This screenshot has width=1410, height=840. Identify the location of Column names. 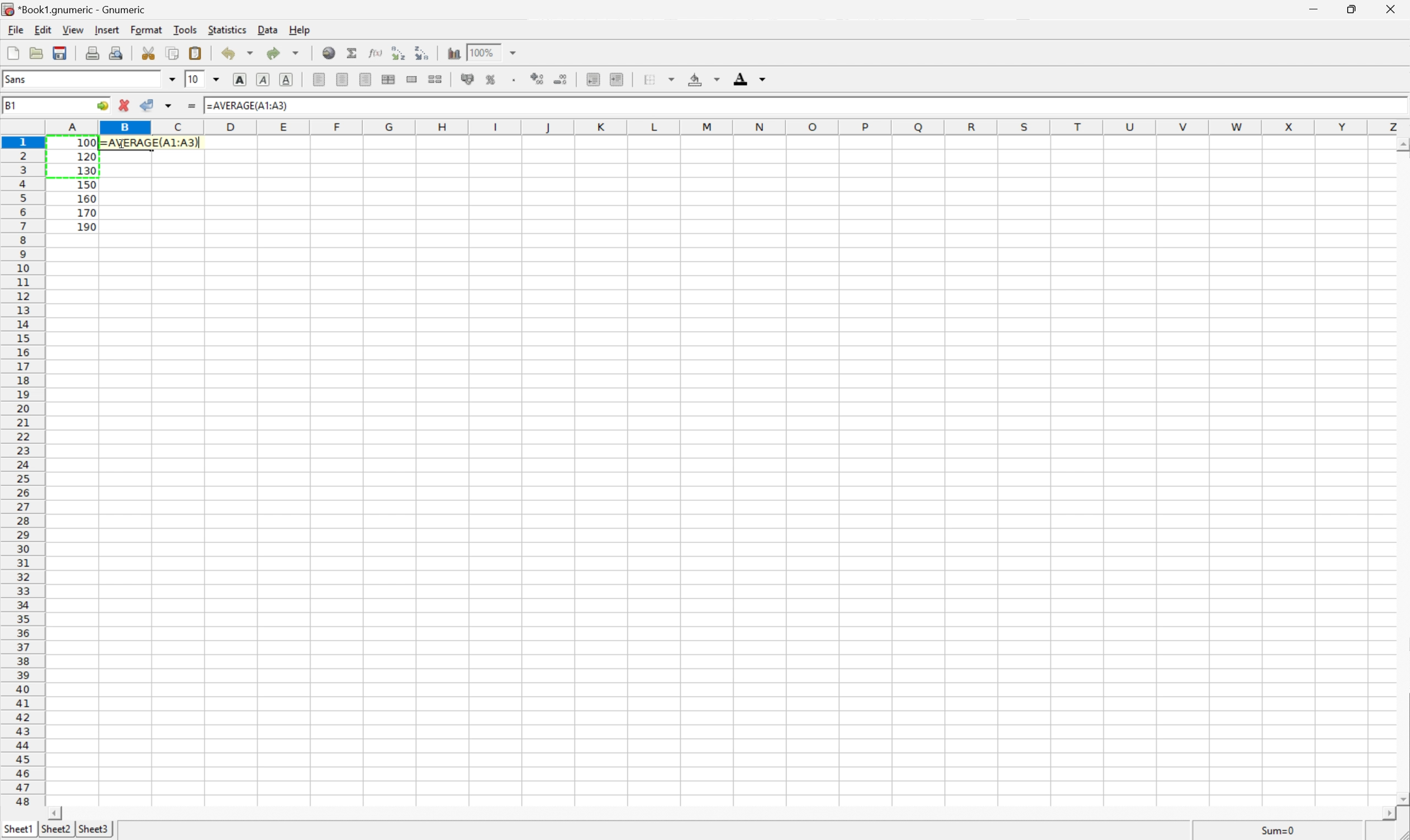
(725, 127).